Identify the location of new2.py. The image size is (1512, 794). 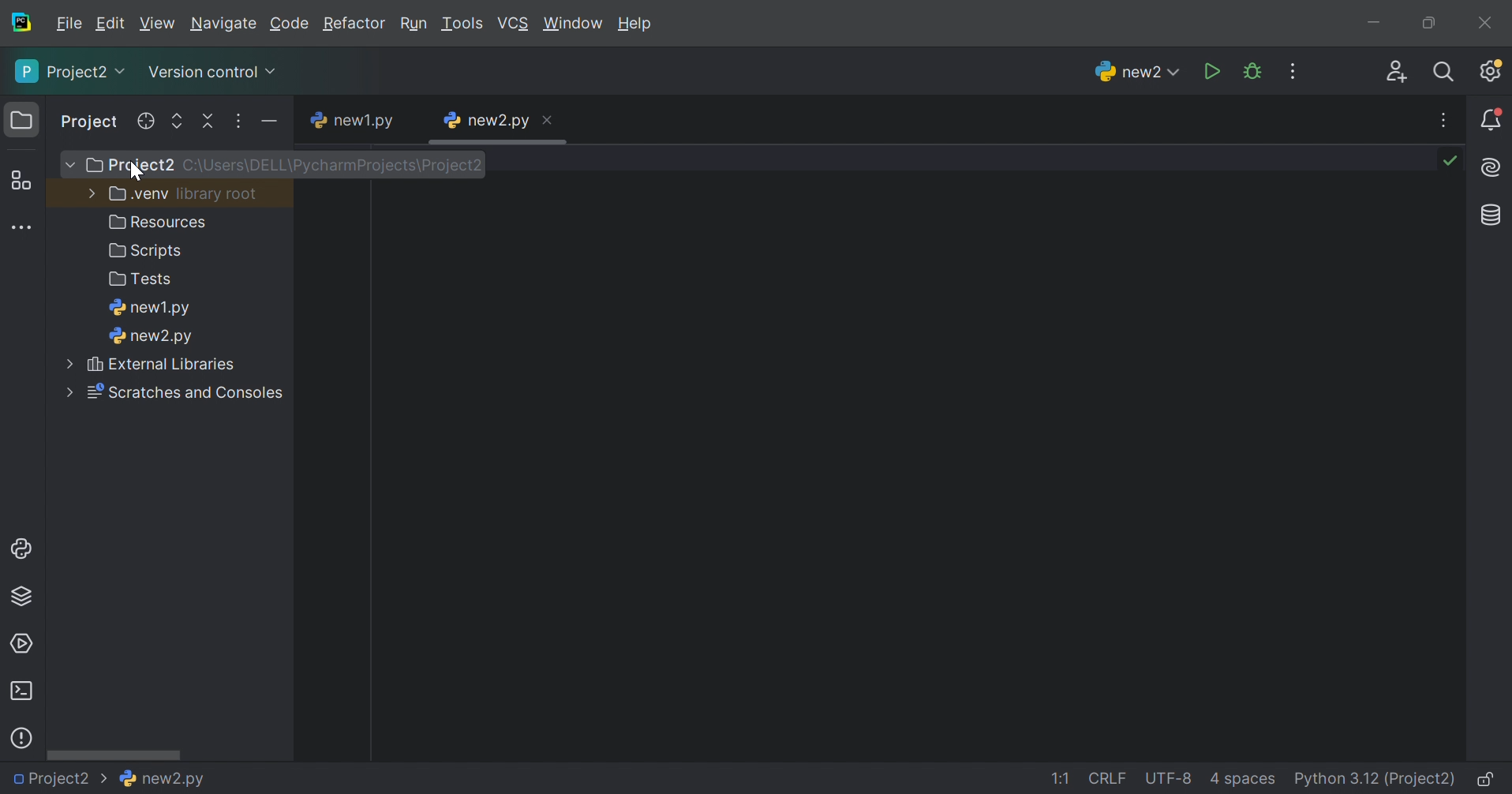
(1133, 70).